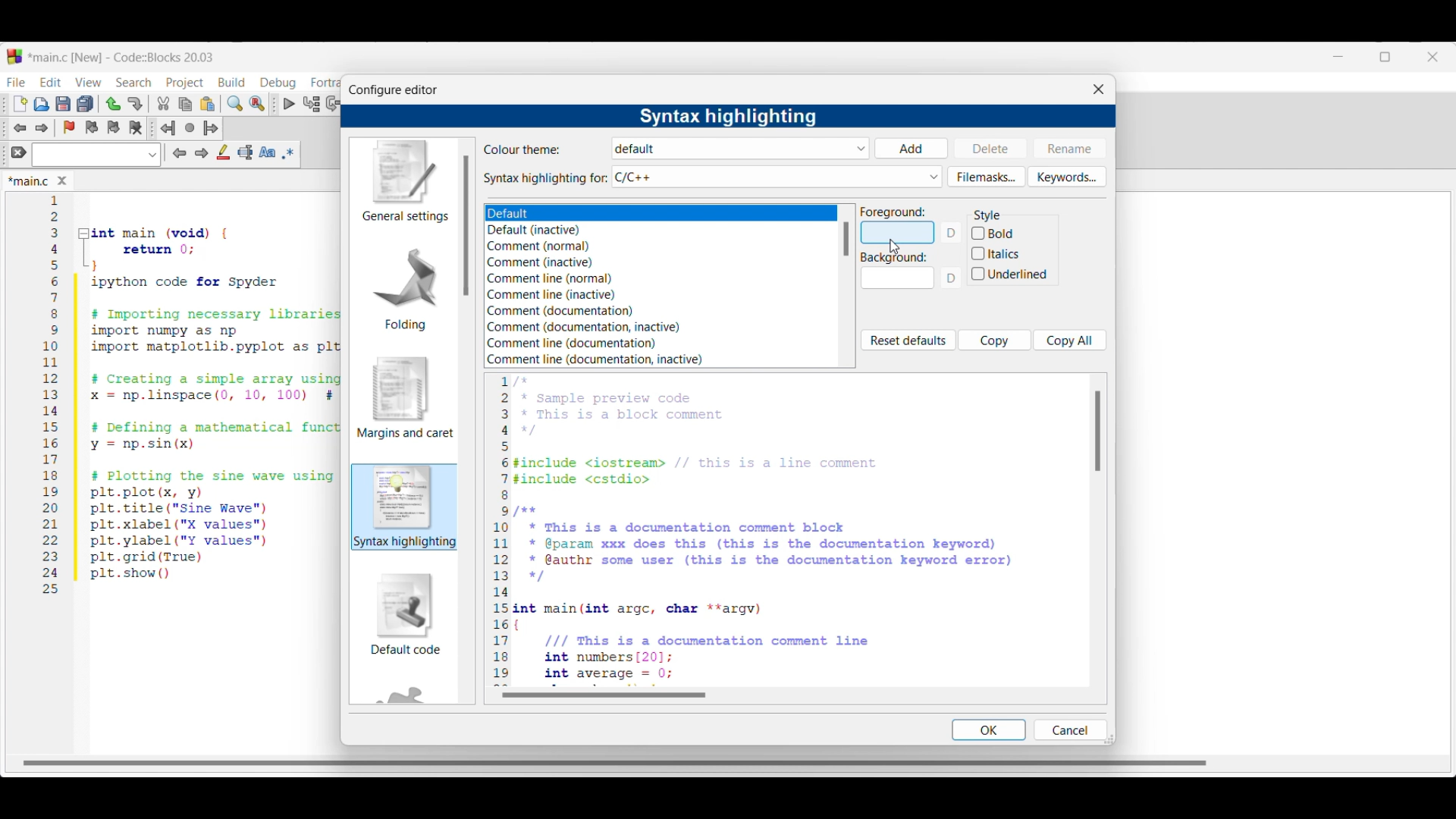  Describe the element at coordinates (290, 104) in the screenshot. I see `Debug/Continue` at that location.